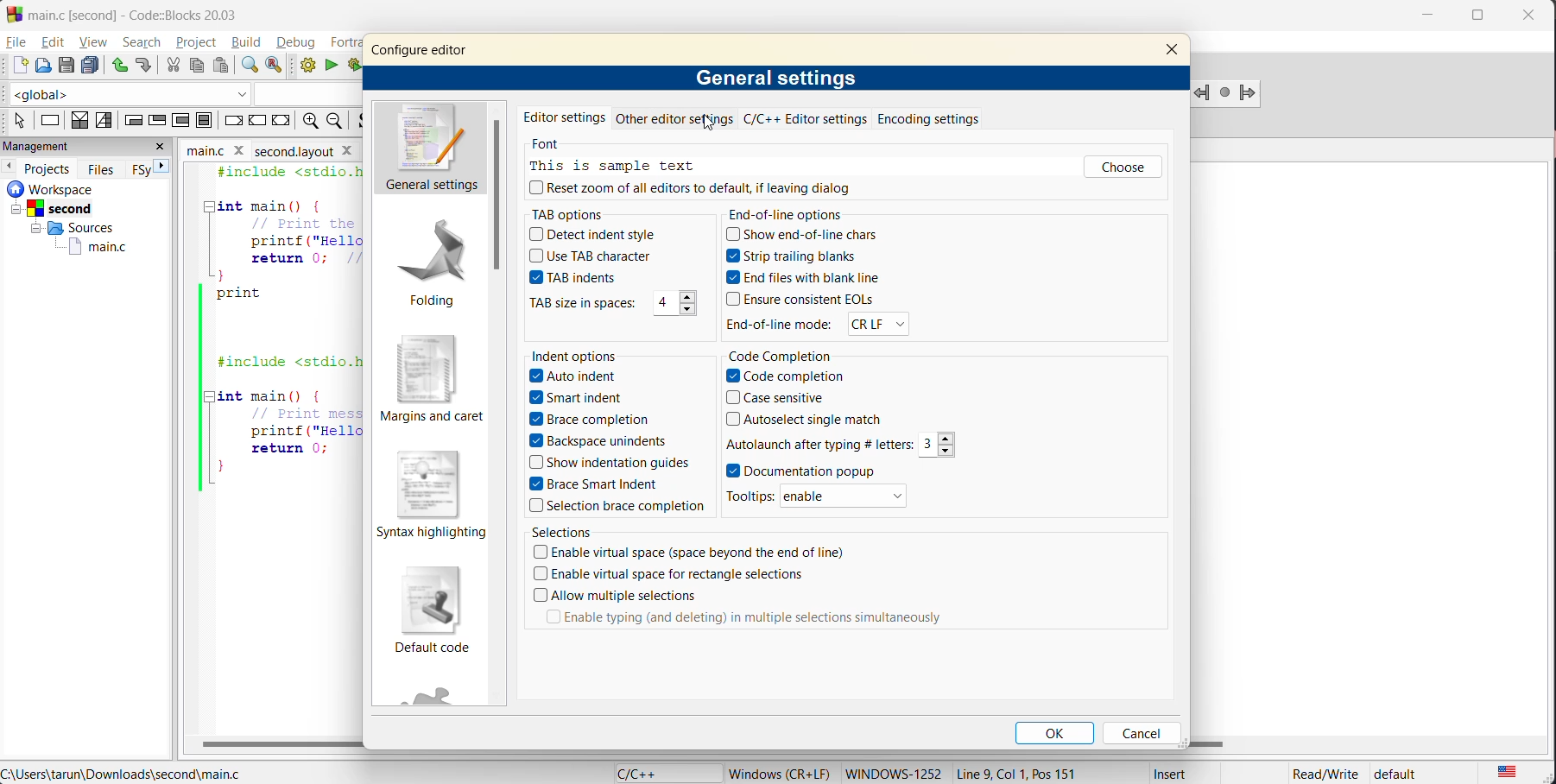 The width and height of the screenshot is (1556, 784). What do you see at coordinates (677, 119) in the screenshot?
I see `other editor settings` at bounding box center [677, 119].